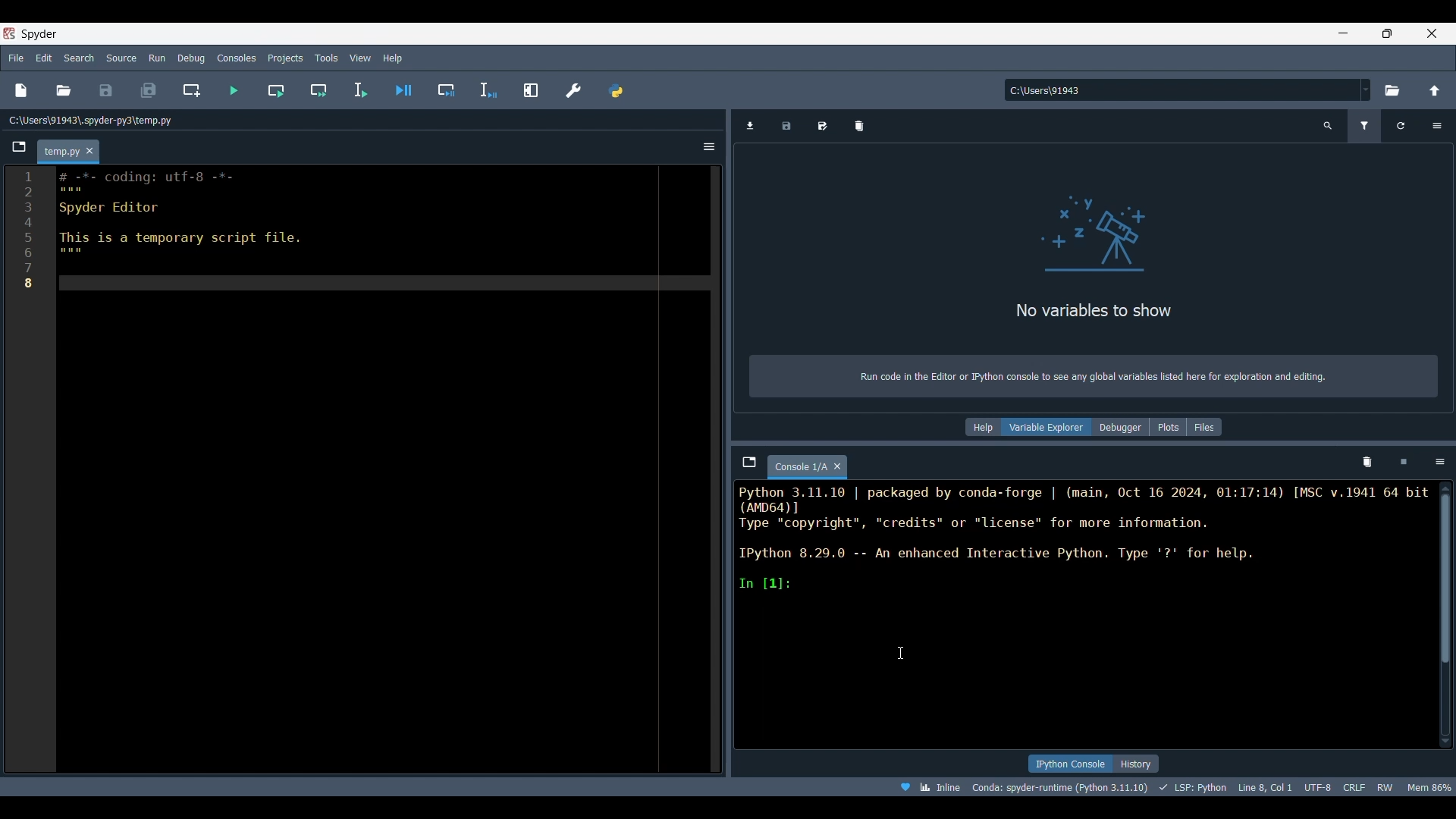  What do you see at coordinates (1354, 786) in the screenshot?
I see `crlf` at bounding box center [1354, 786].